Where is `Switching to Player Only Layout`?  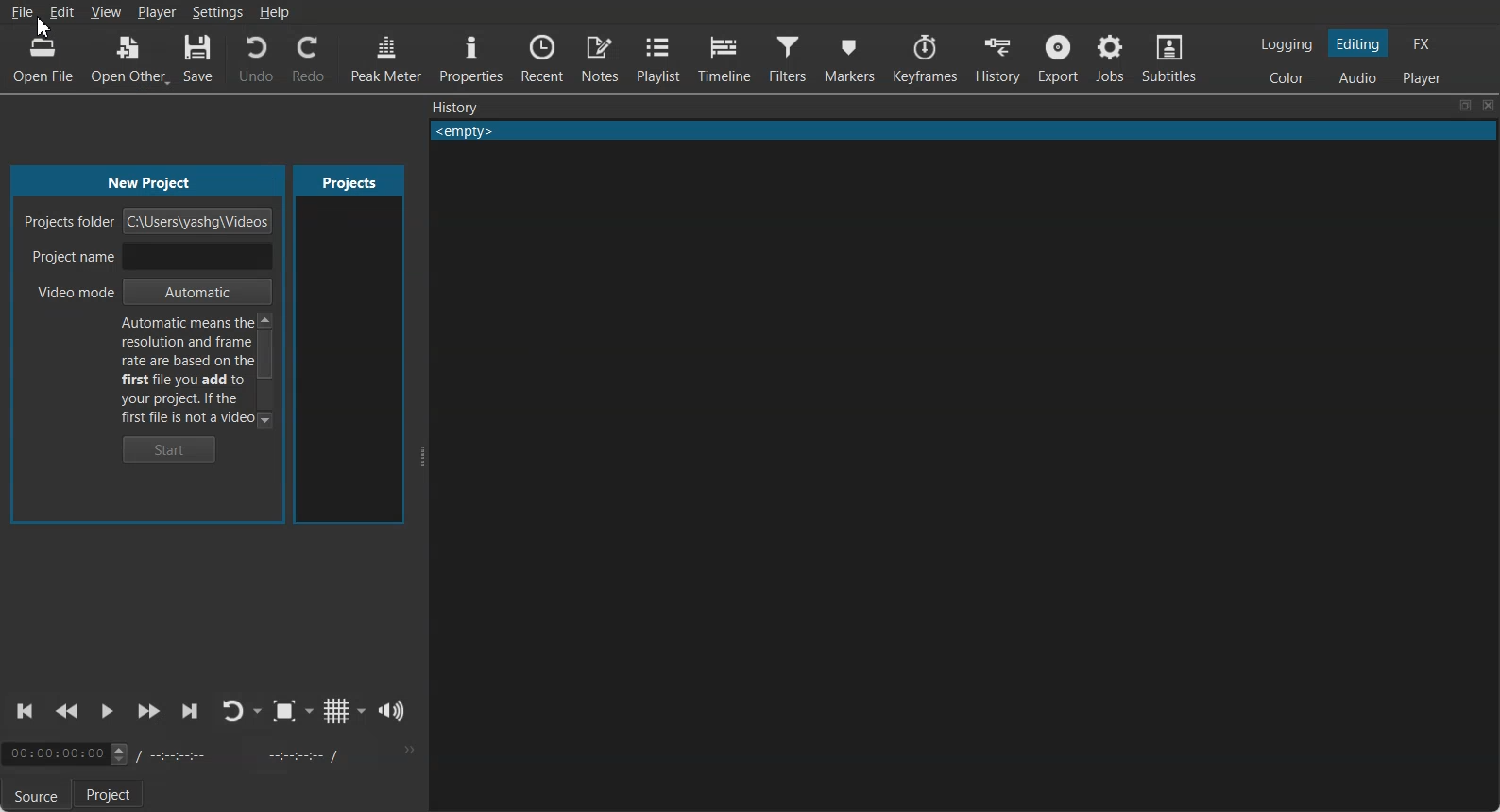
Switching to Player Only Layout is located at coordinates (1424, 77).